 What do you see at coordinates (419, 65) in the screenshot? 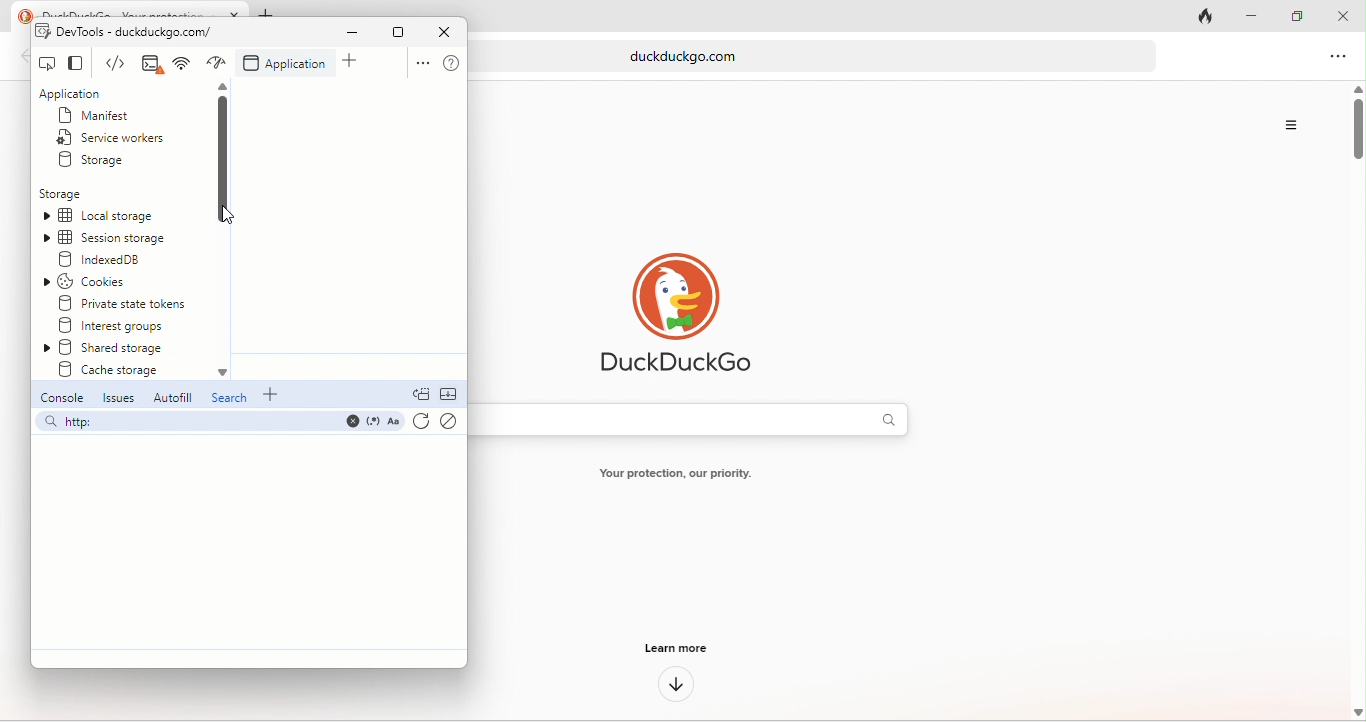
I see `option` at bounding box center [419, 65].